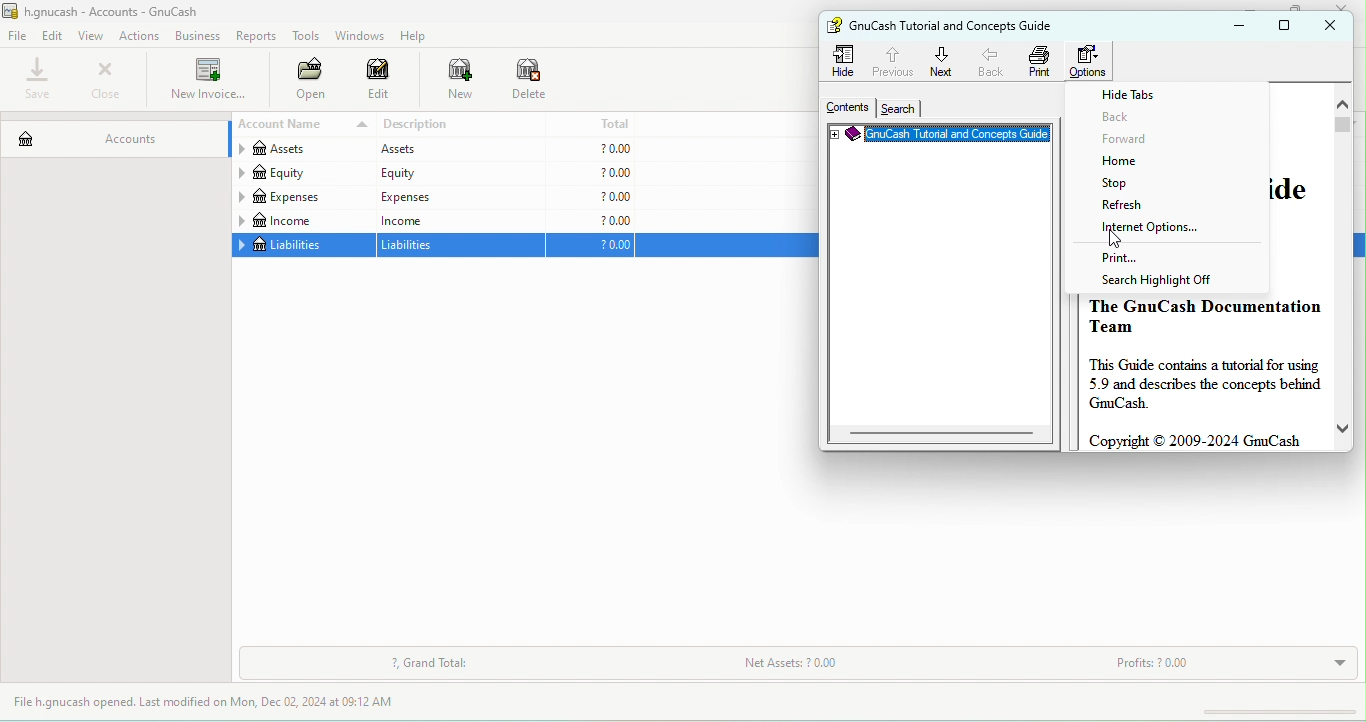  What do you see at coordinates (941, 432) in the screenshot?
I see `horizontal scroll bar` at bounding box center [941, 432].